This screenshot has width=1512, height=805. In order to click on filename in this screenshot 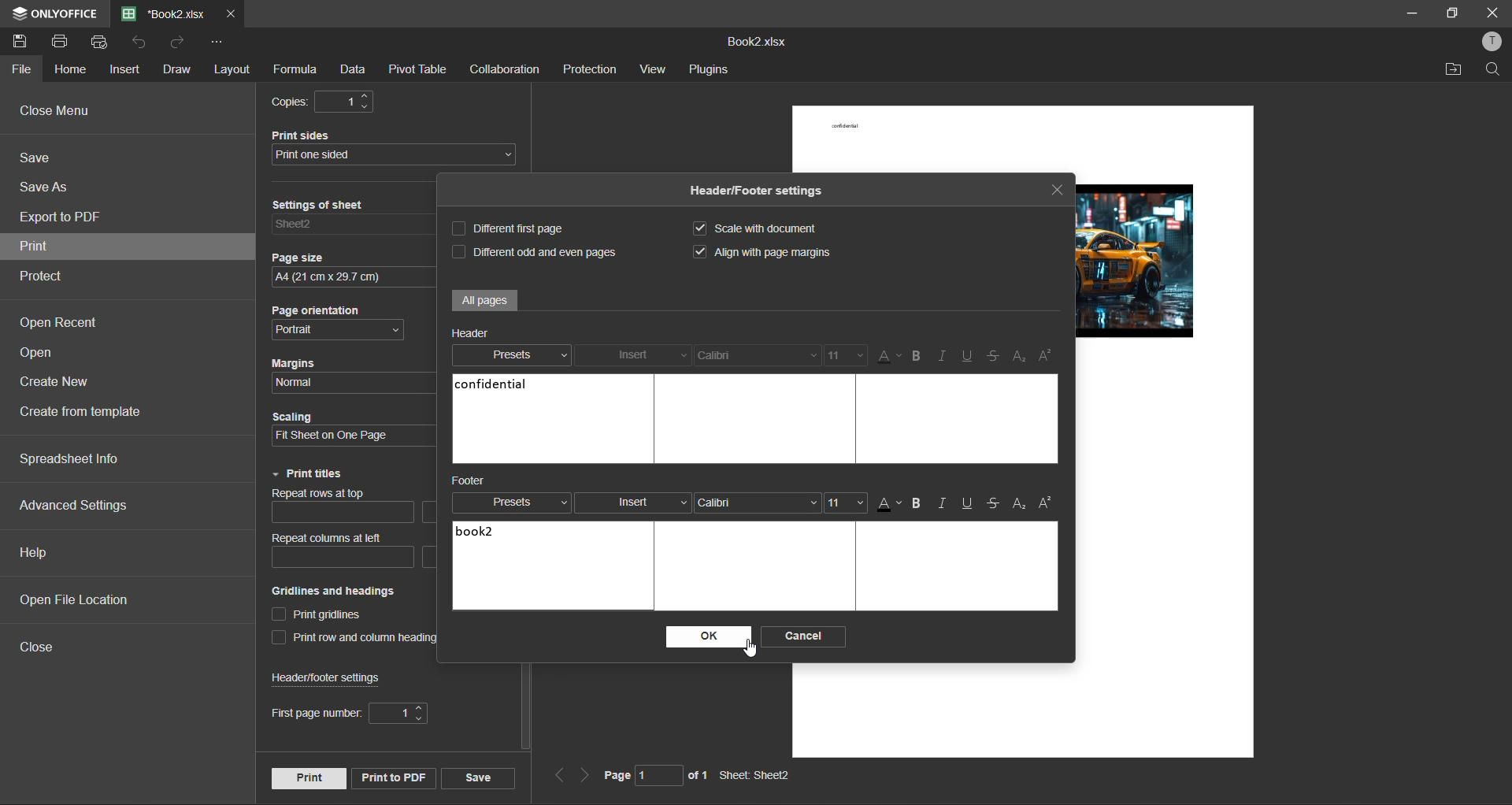, I will do `click(166, 13)`.